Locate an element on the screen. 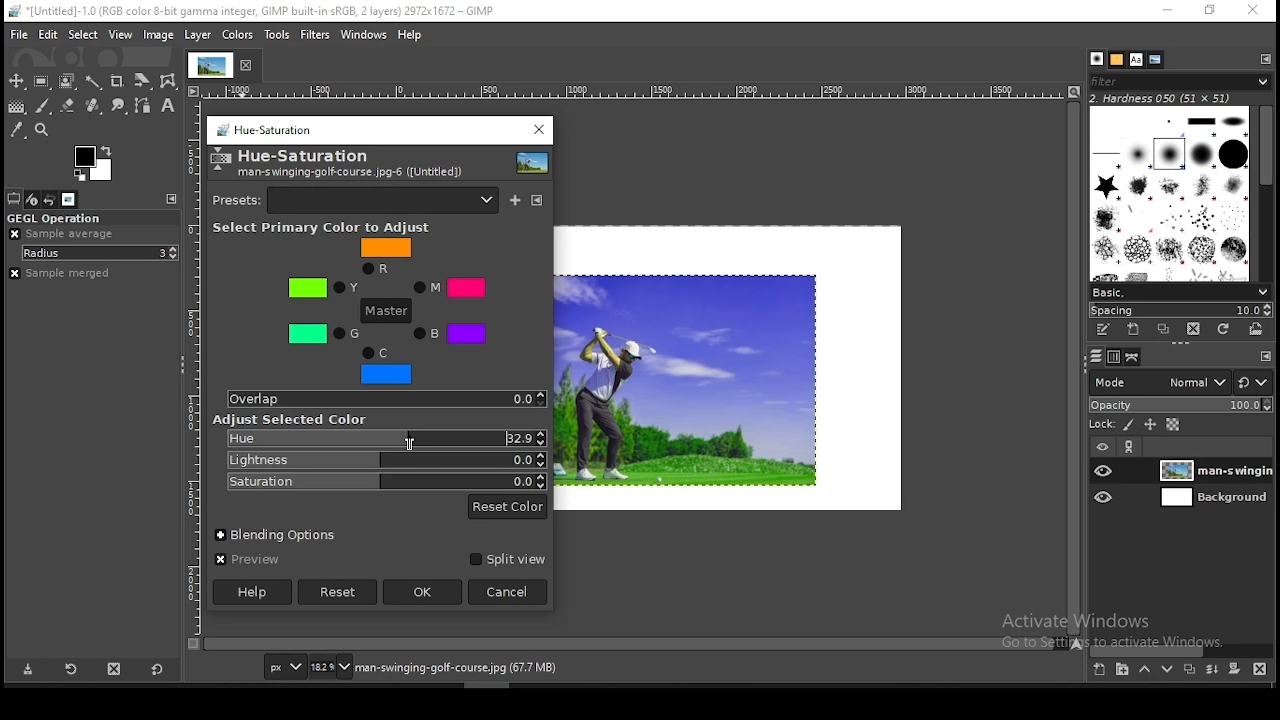  logo is located at coordinates (221, 160).